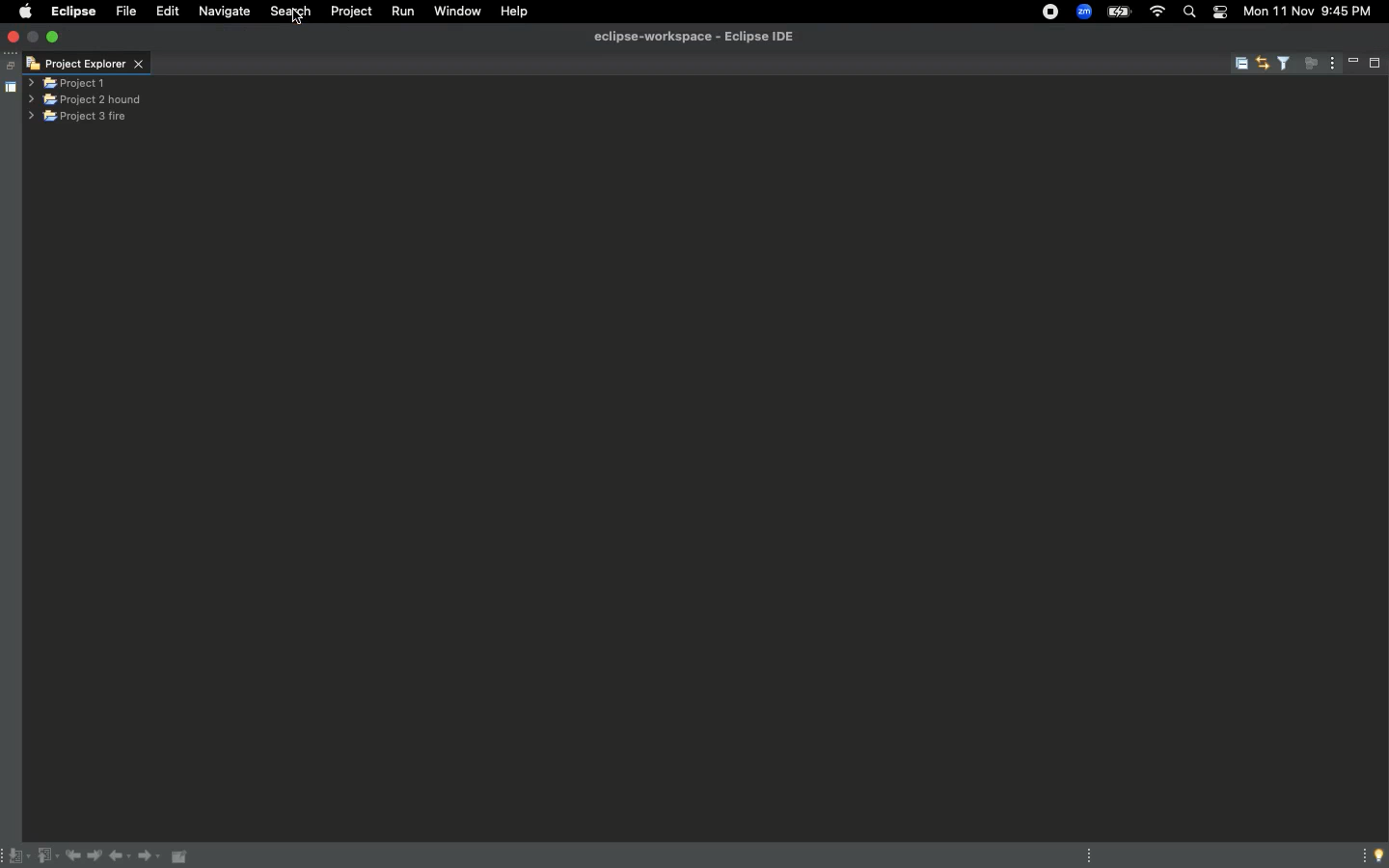 The image size is (1389, 868). I want to click on Project 2 hound, so click(86, 99).